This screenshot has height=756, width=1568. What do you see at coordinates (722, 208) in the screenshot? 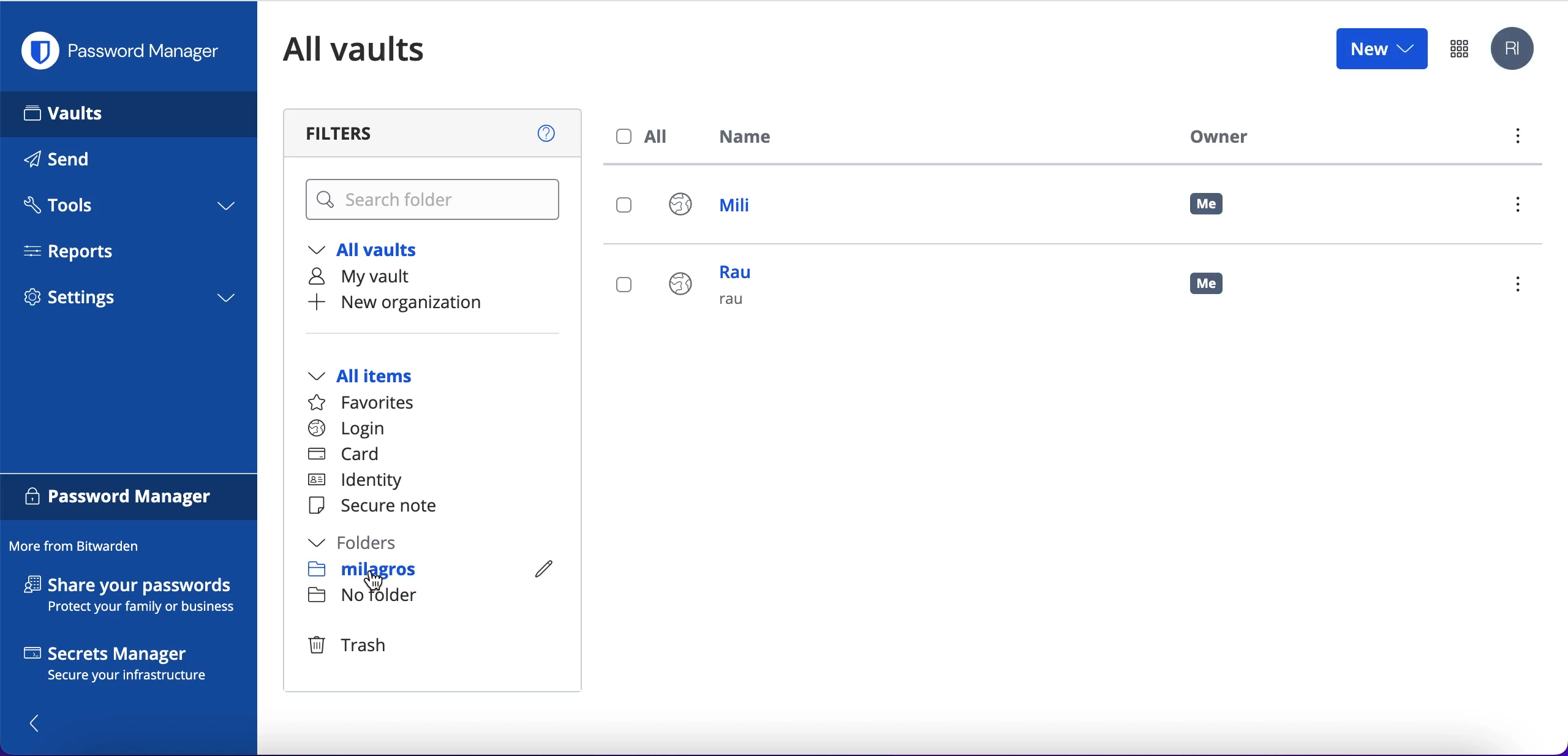
I see `mili` at bounding box center [722, 208].